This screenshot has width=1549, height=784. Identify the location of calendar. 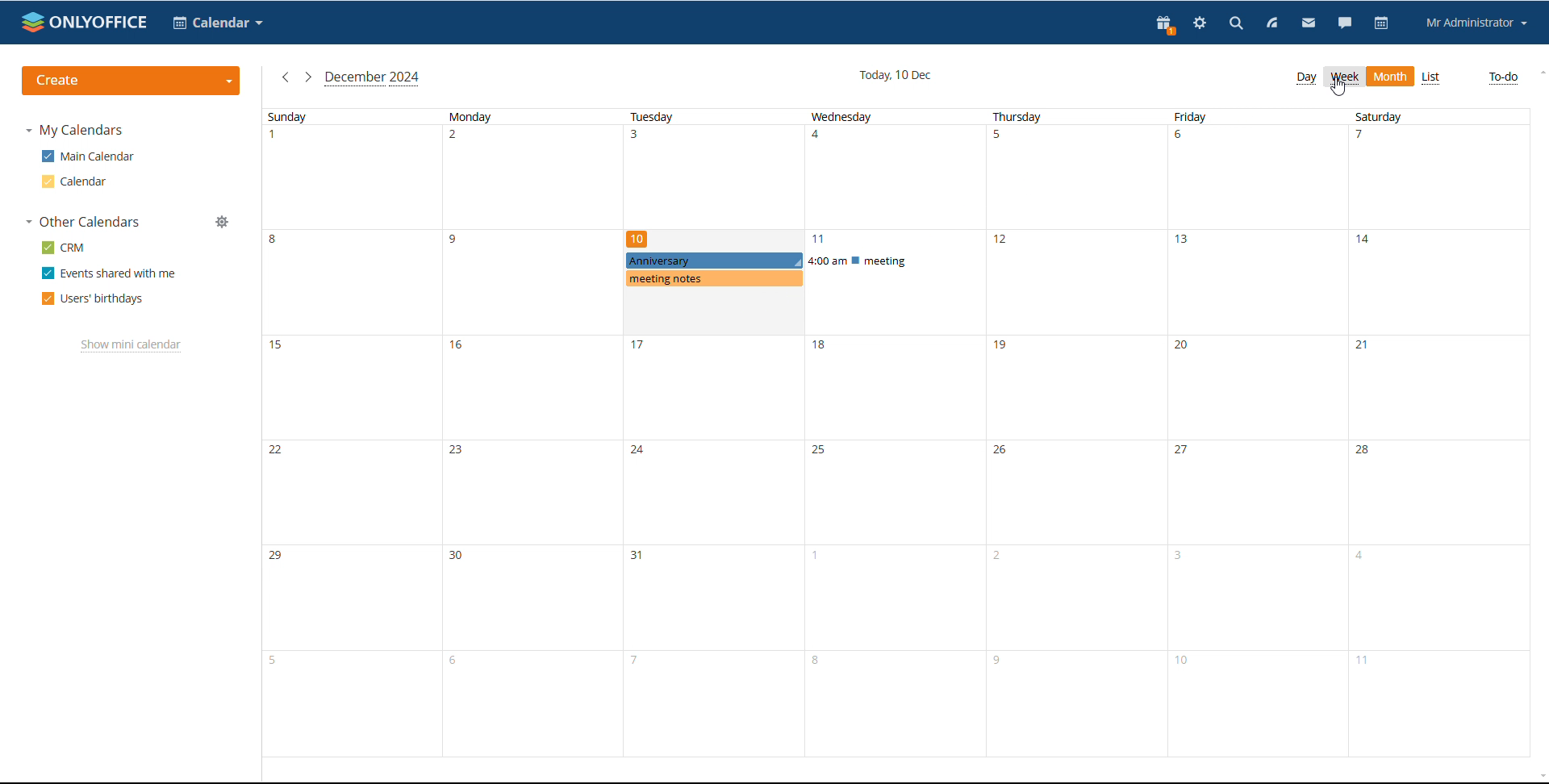
(73, 181).